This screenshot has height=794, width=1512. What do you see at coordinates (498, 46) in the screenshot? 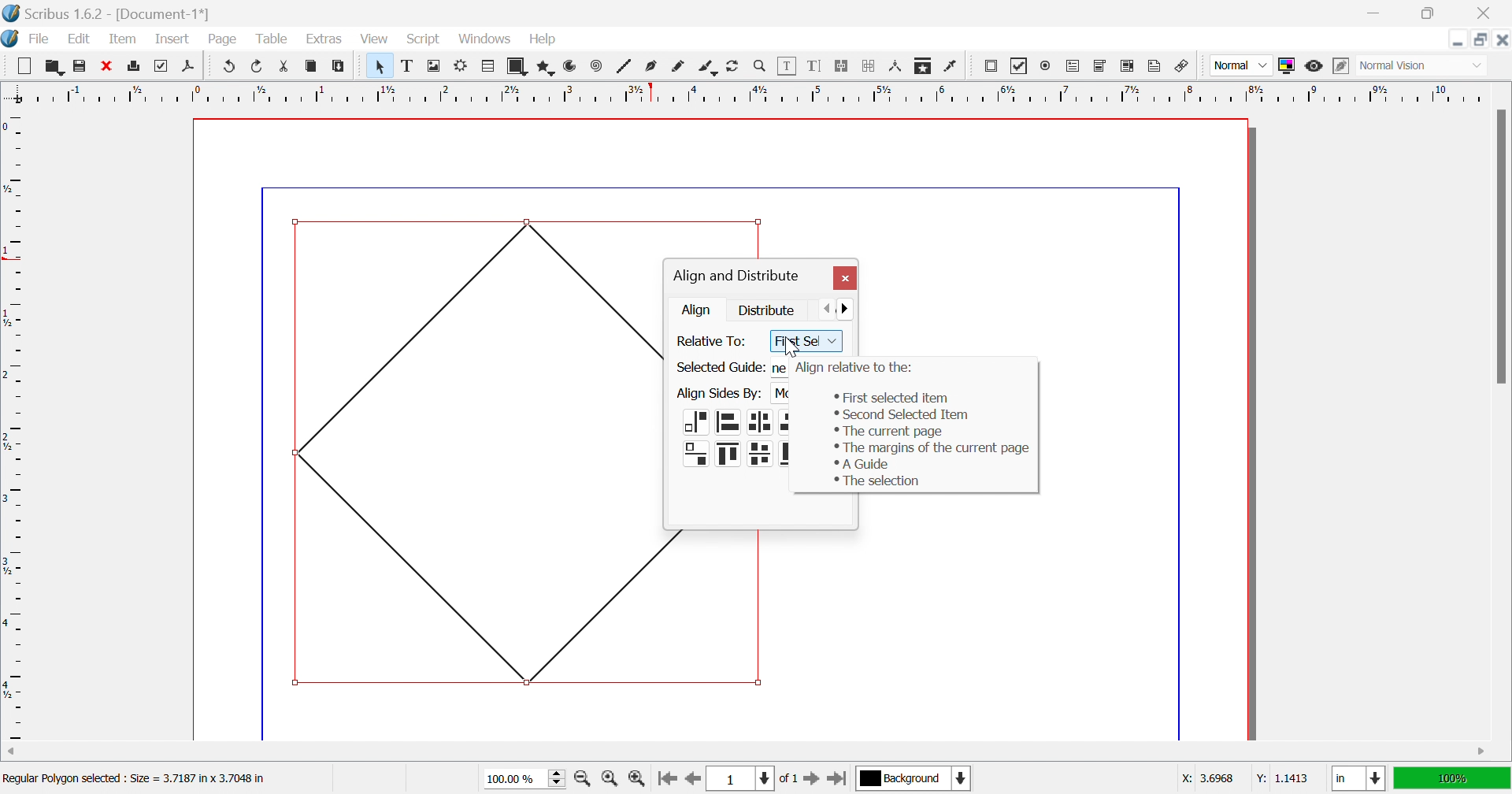
I see `Cursor` at bounding box center [498, 46].